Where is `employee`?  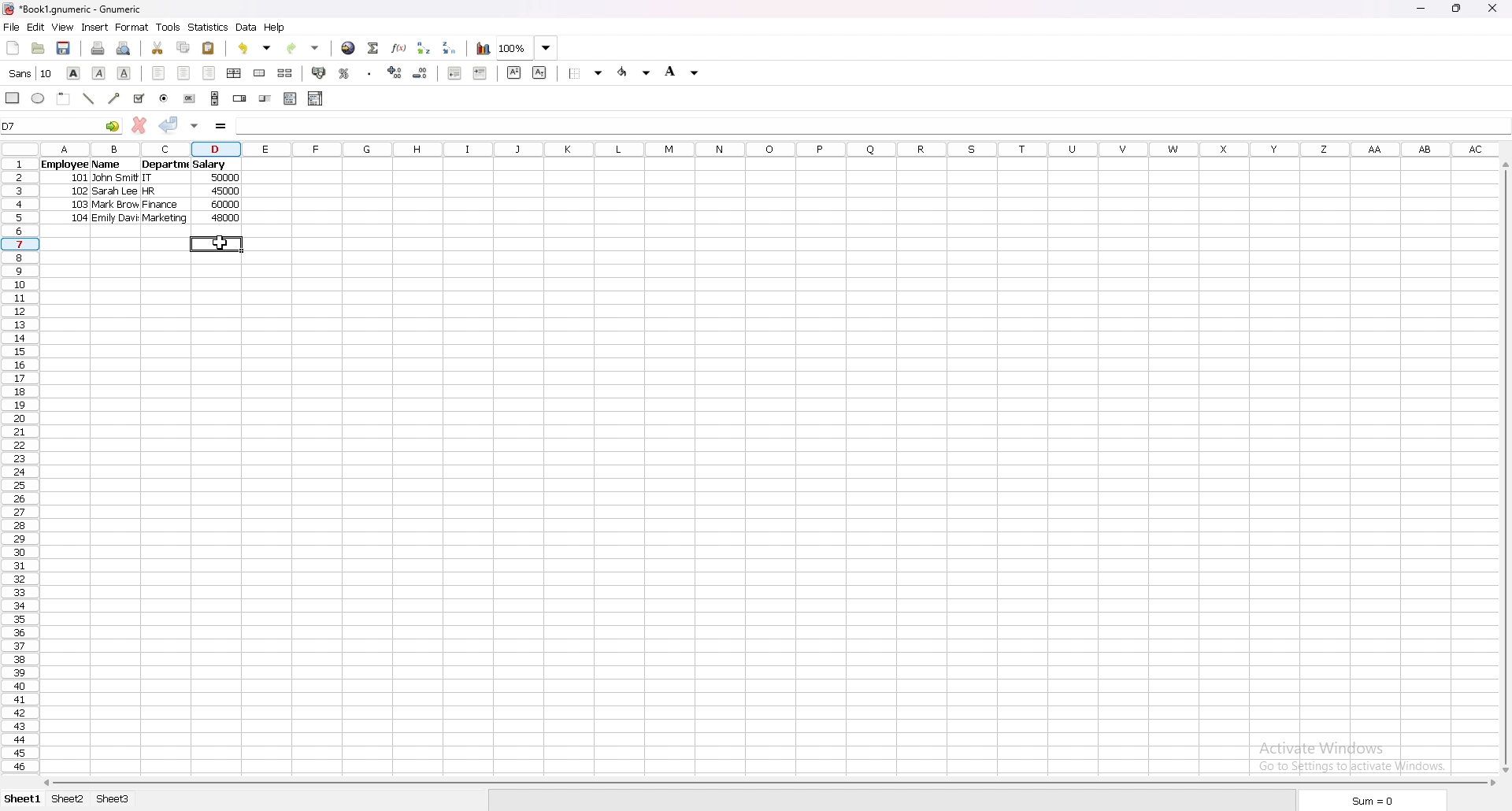
employee is located at coordinates (63, 165).